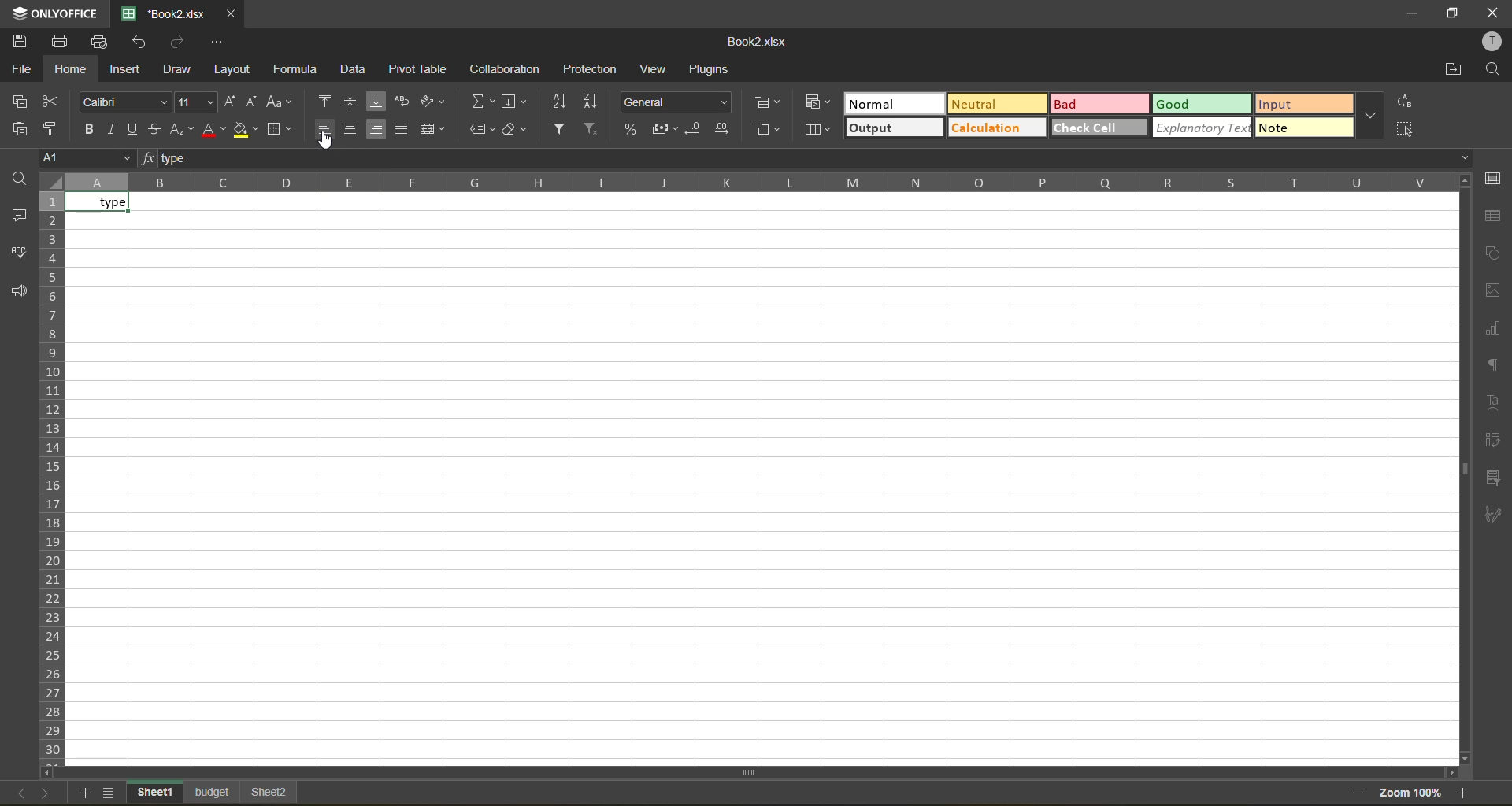 Image resolution: width=1512 pixels, height=806 pixels. Describe the element at coordinates (53, 475) in the screenshot. I see `row numbers` at that location.